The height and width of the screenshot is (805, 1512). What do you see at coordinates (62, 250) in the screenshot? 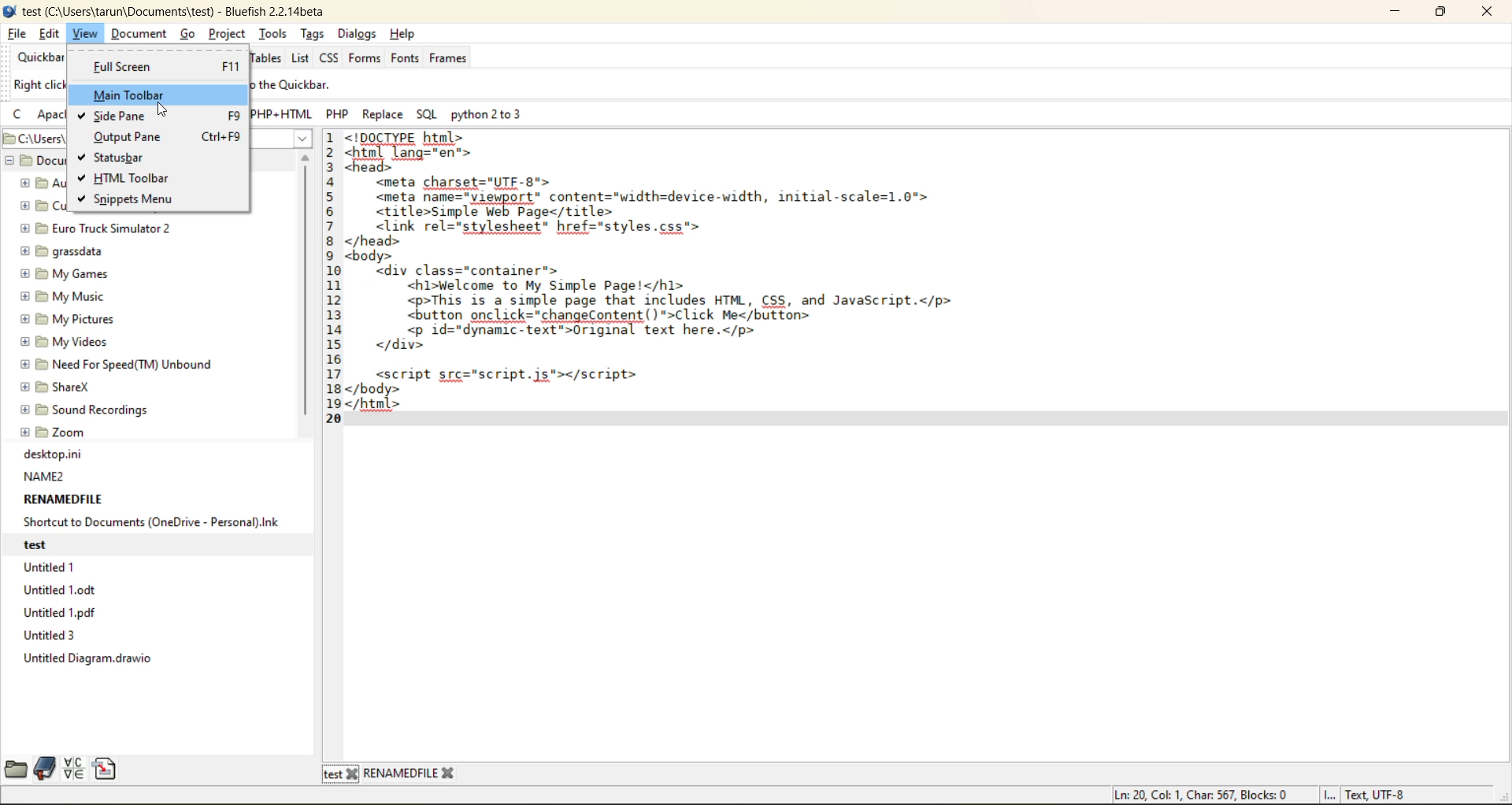
I see `@ [9 grassdata` at bounding box center [62, 250].